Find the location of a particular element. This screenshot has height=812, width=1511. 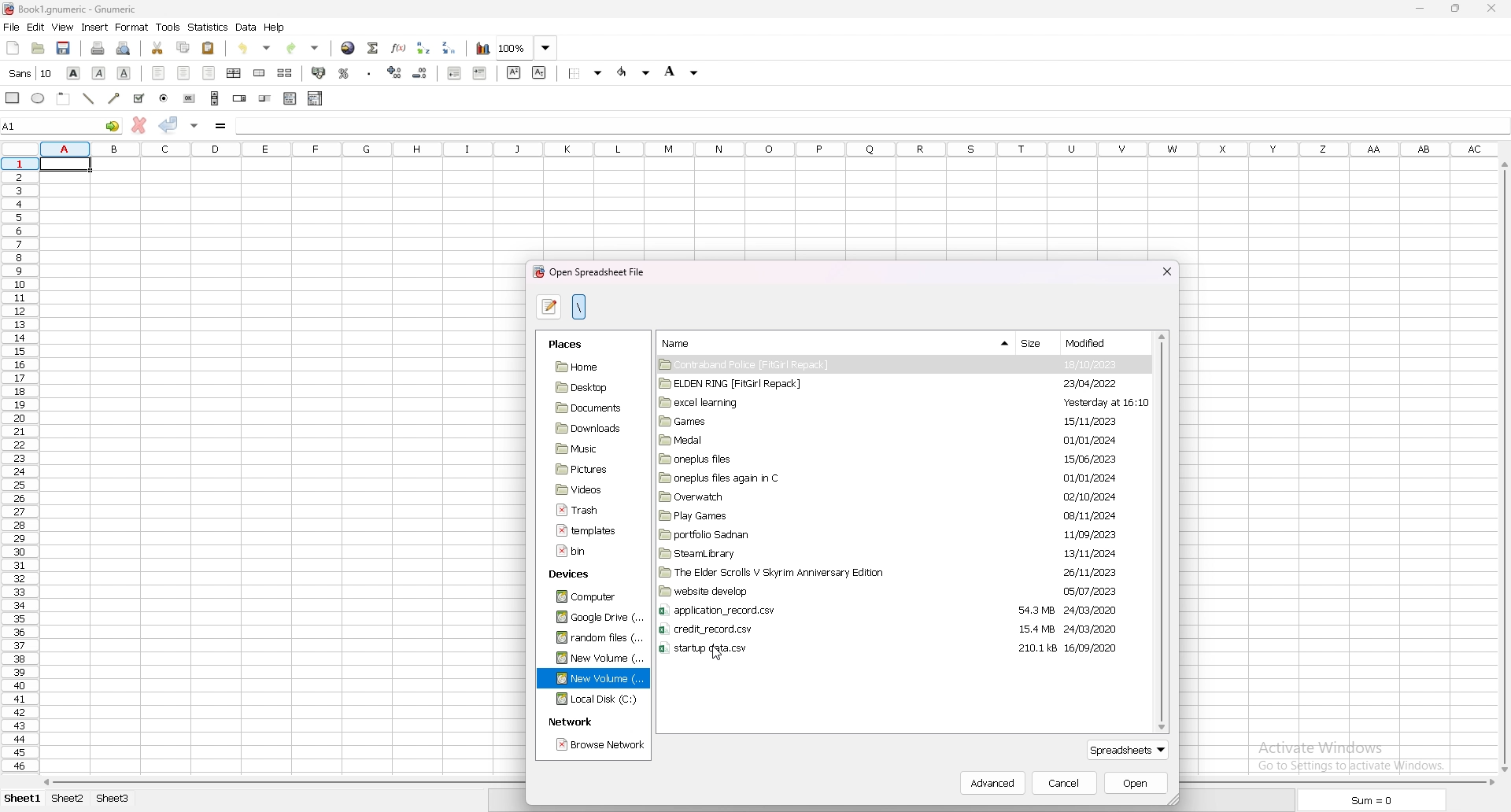

Sheet 1 is located at coordinates (21, 799).